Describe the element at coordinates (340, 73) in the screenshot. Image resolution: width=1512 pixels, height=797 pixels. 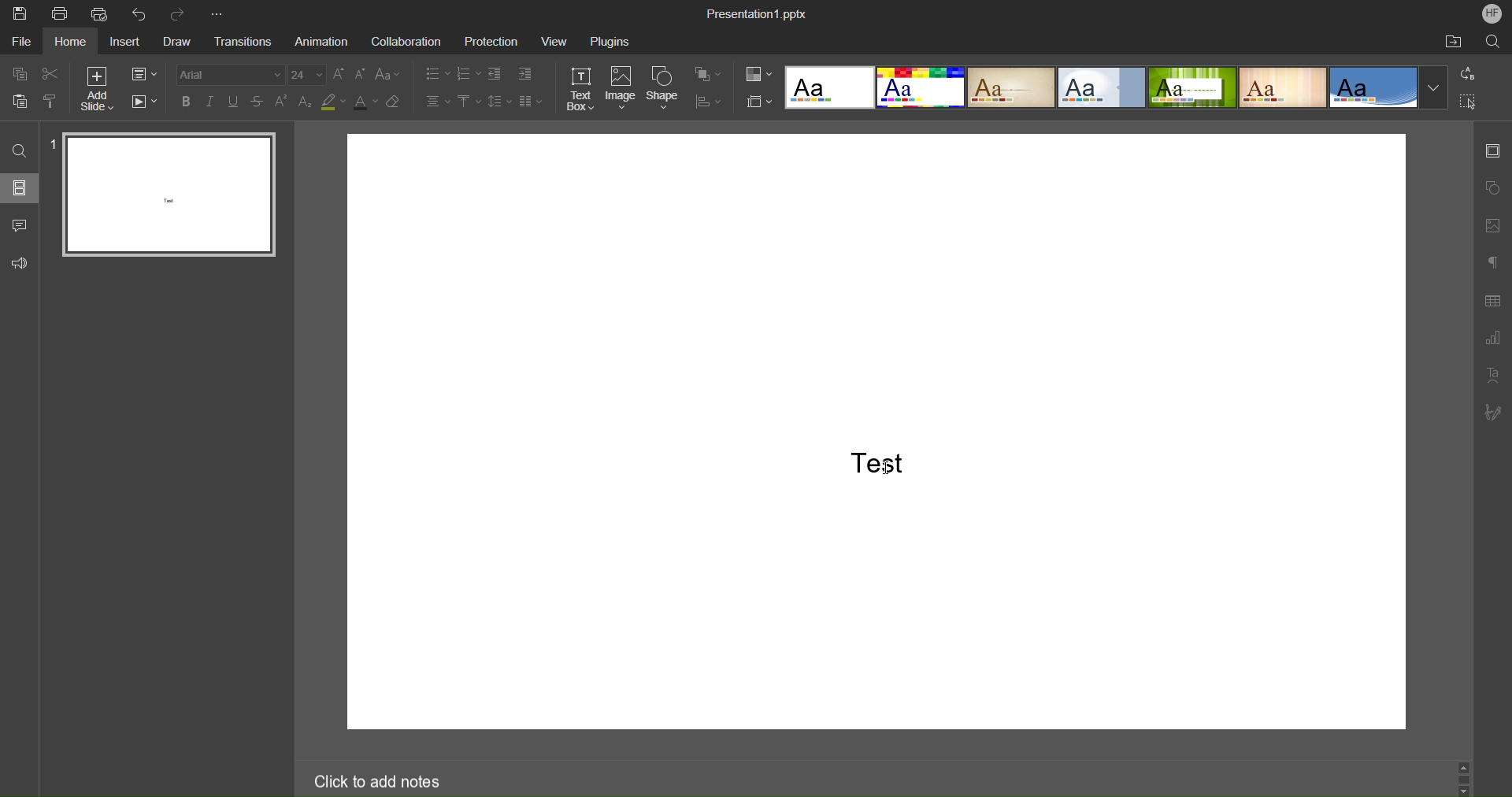
I see `Increase size` at that location.